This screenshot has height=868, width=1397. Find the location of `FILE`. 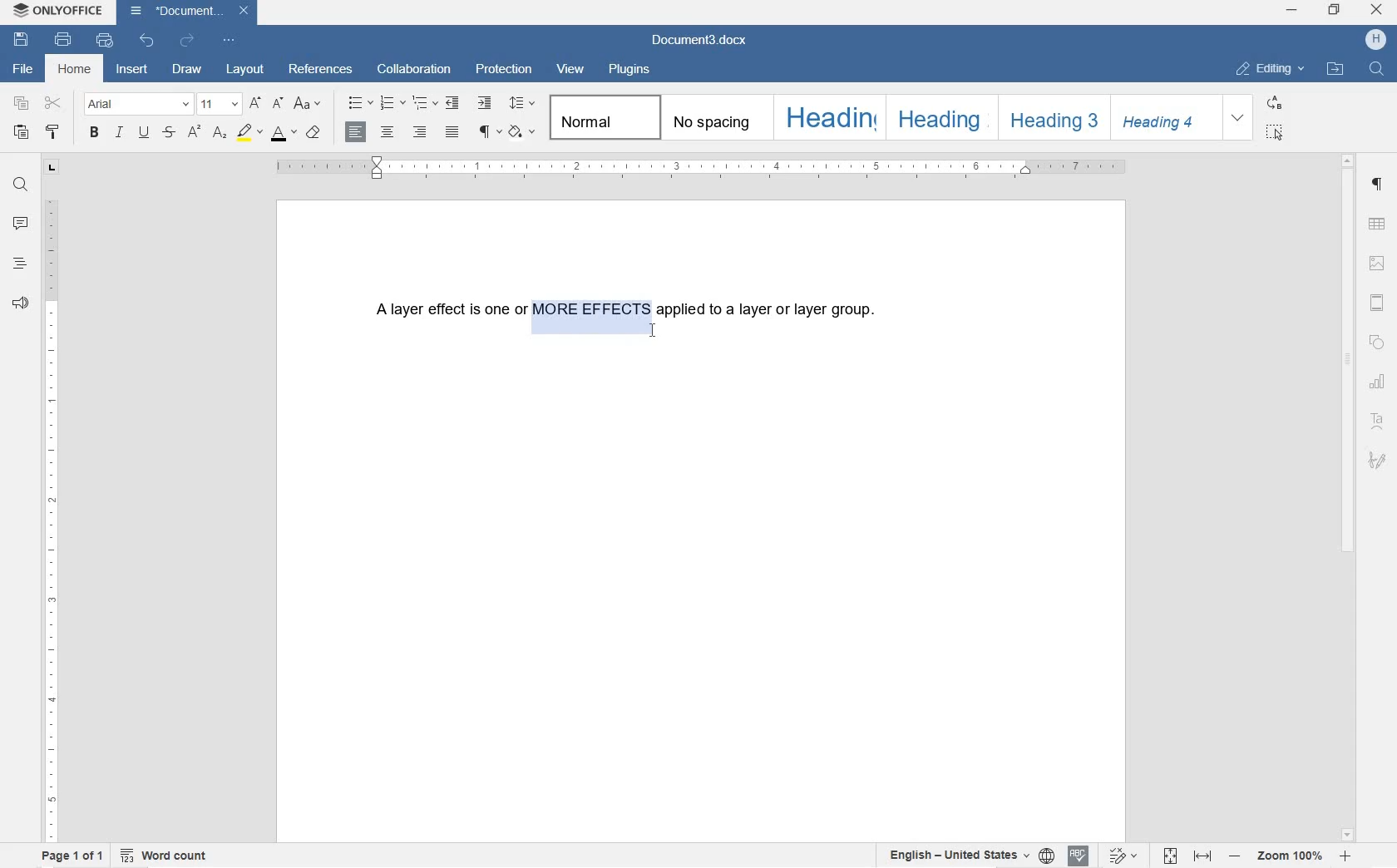

FILE is located at coordinates (25, 69).